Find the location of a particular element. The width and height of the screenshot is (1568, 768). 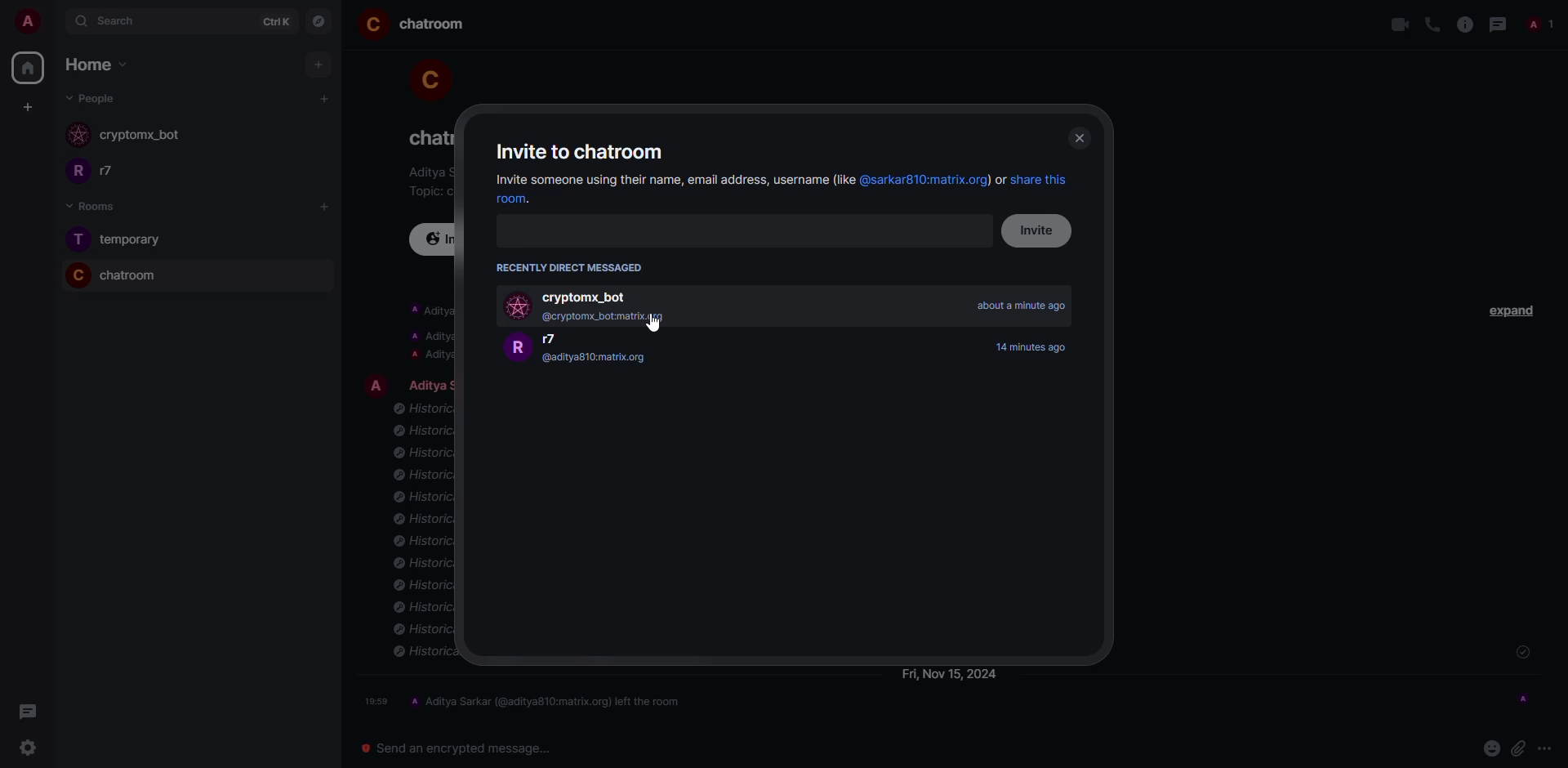

attach is located at coordinates (1518, 747).